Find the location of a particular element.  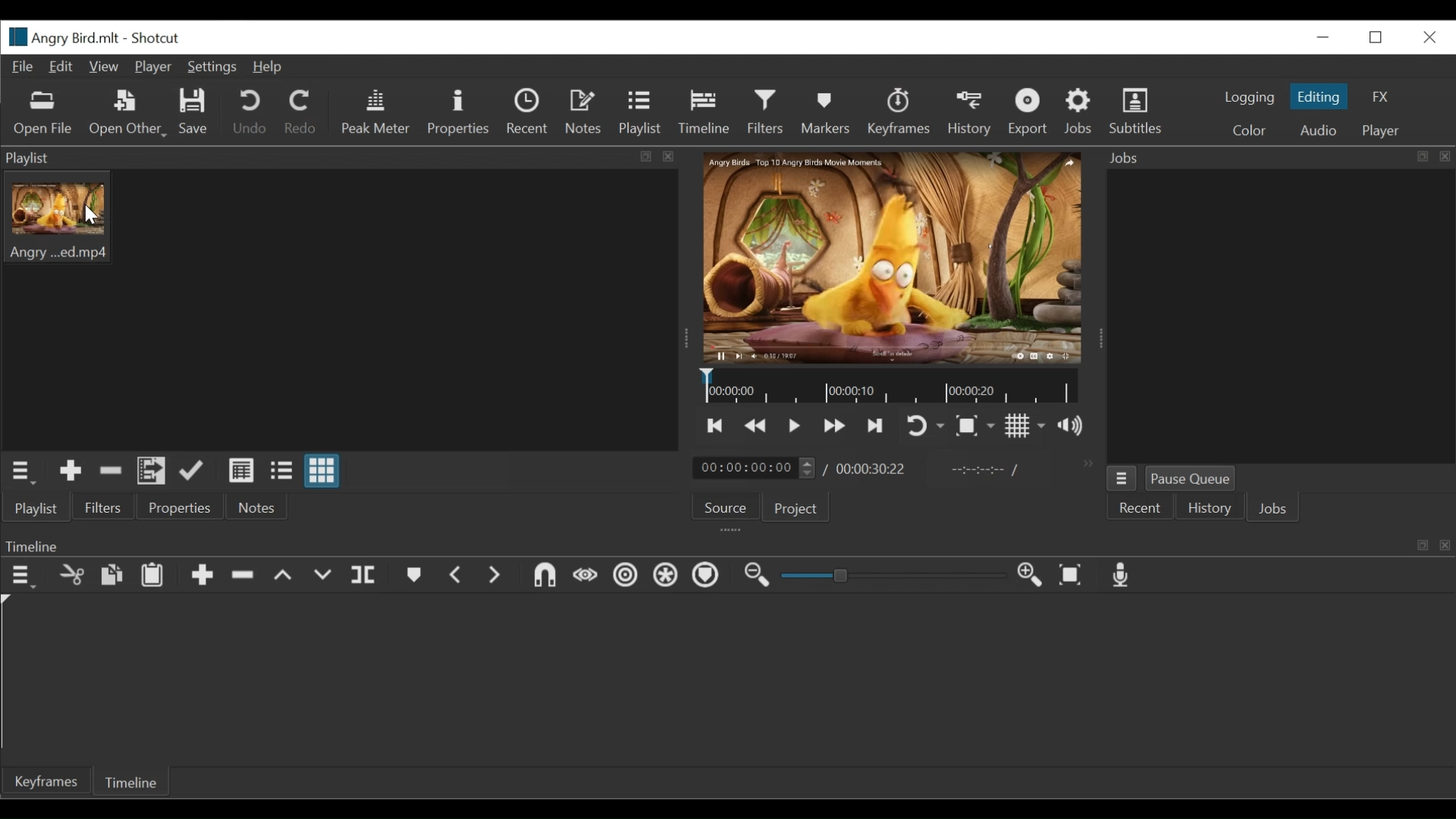

Record audio is located at coordinates (1122, 576).